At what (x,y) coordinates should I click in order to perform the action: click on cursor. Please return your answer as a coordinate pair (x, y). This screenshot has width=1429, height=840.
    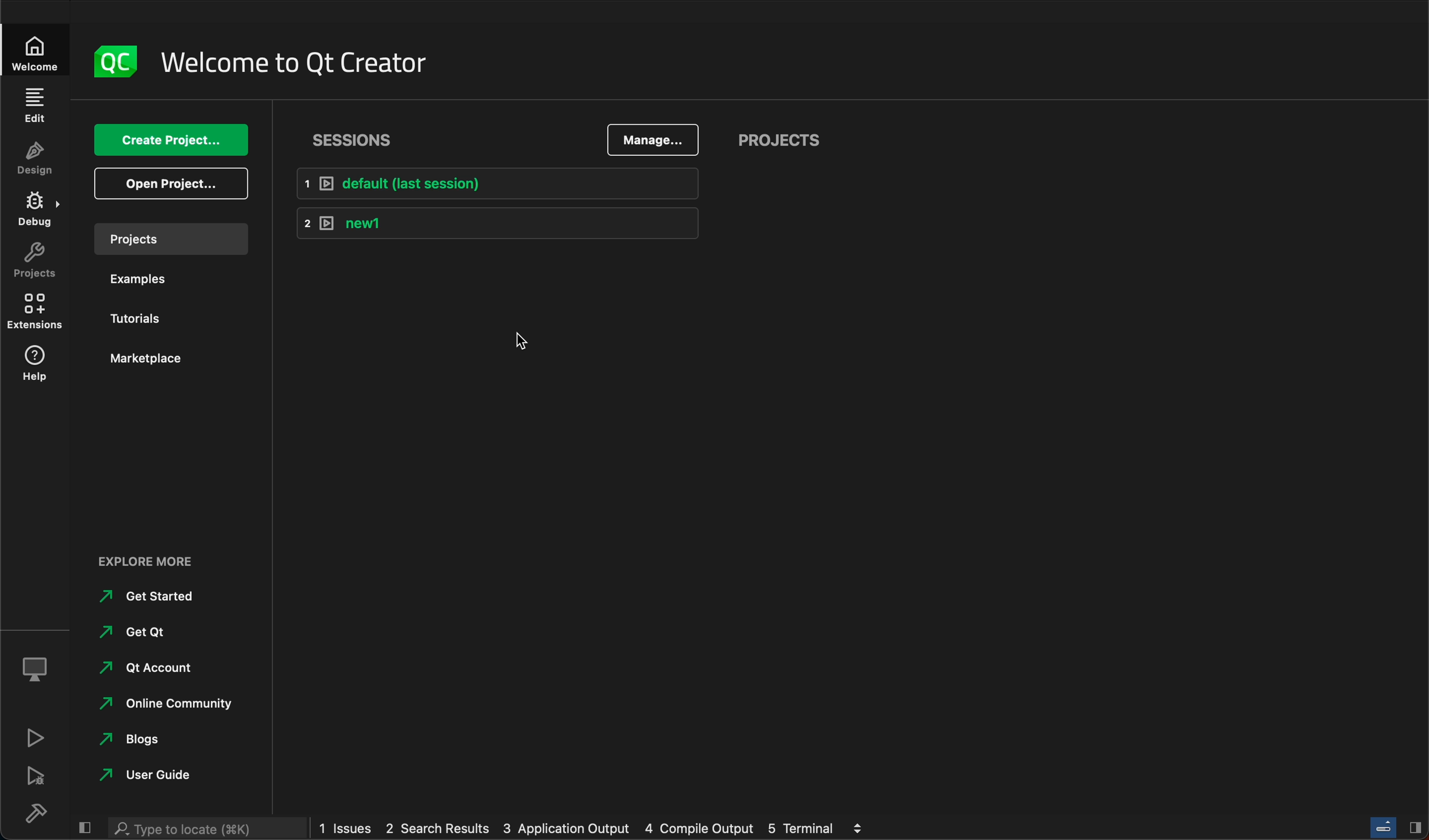
    Looking at the image, I should click on (509, 330).